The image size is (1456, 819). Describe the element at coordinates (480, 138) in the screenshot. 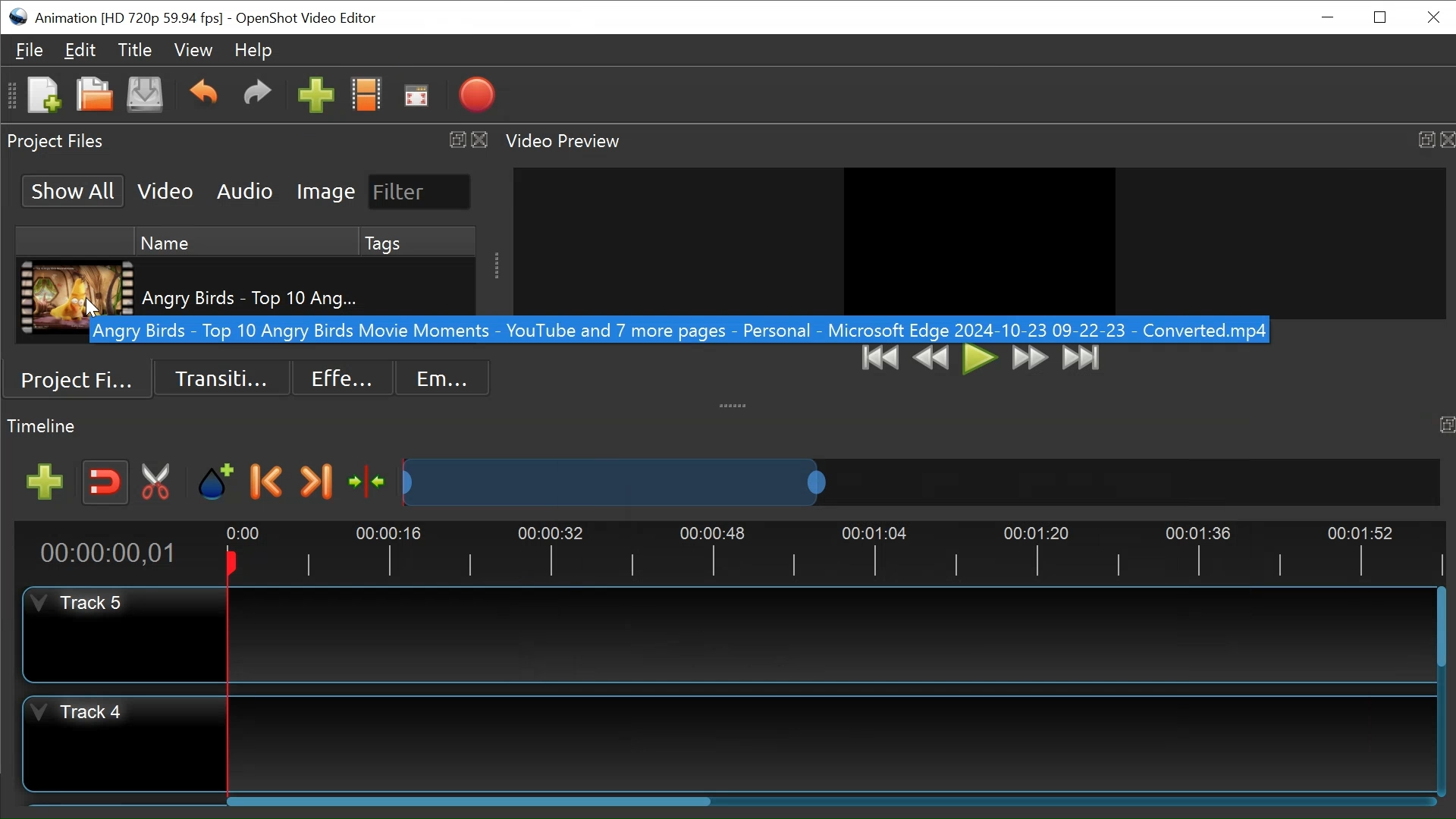

I see `Close` at that location.